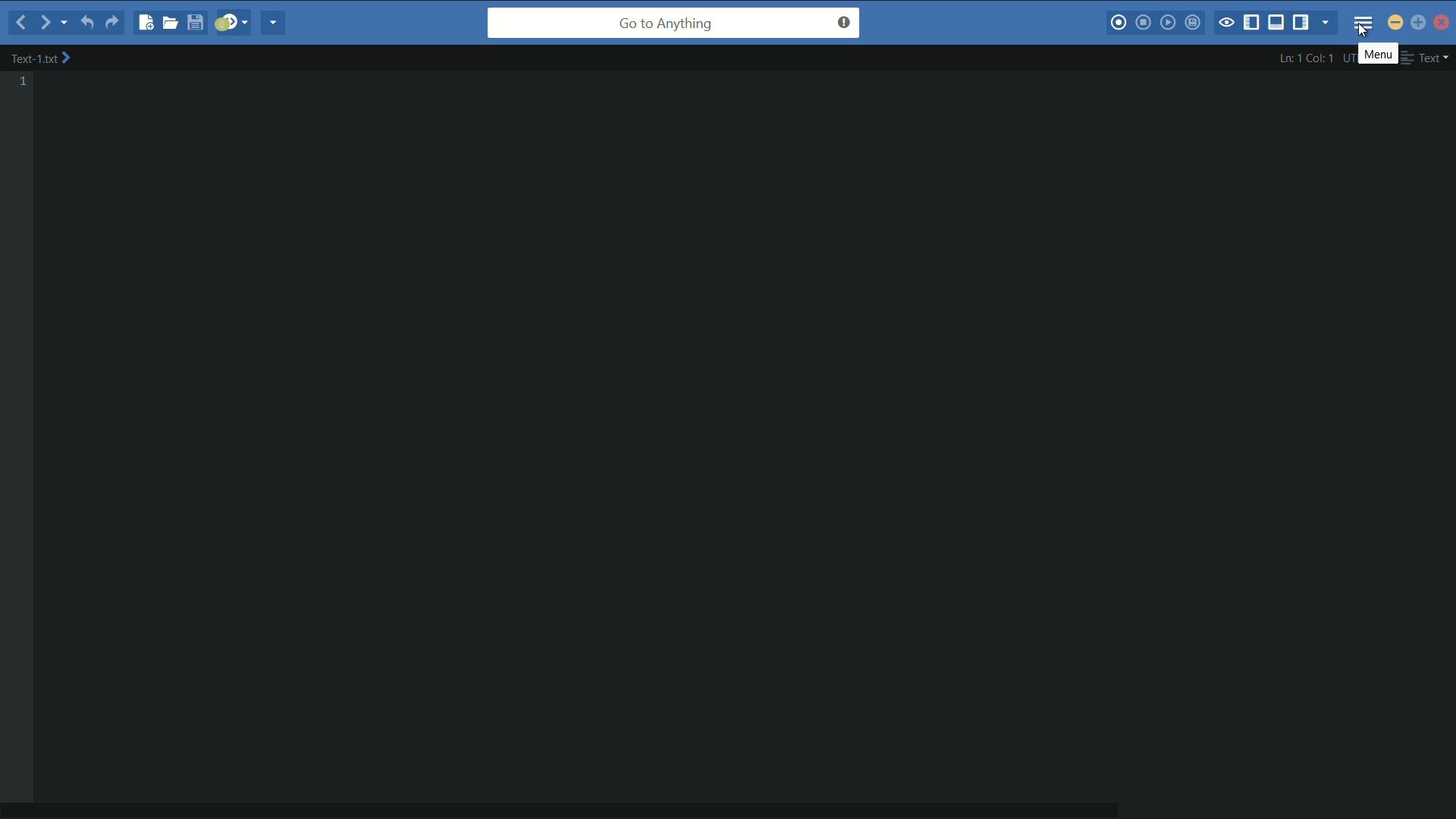  I want to click on go to anything, so click(673, 24).